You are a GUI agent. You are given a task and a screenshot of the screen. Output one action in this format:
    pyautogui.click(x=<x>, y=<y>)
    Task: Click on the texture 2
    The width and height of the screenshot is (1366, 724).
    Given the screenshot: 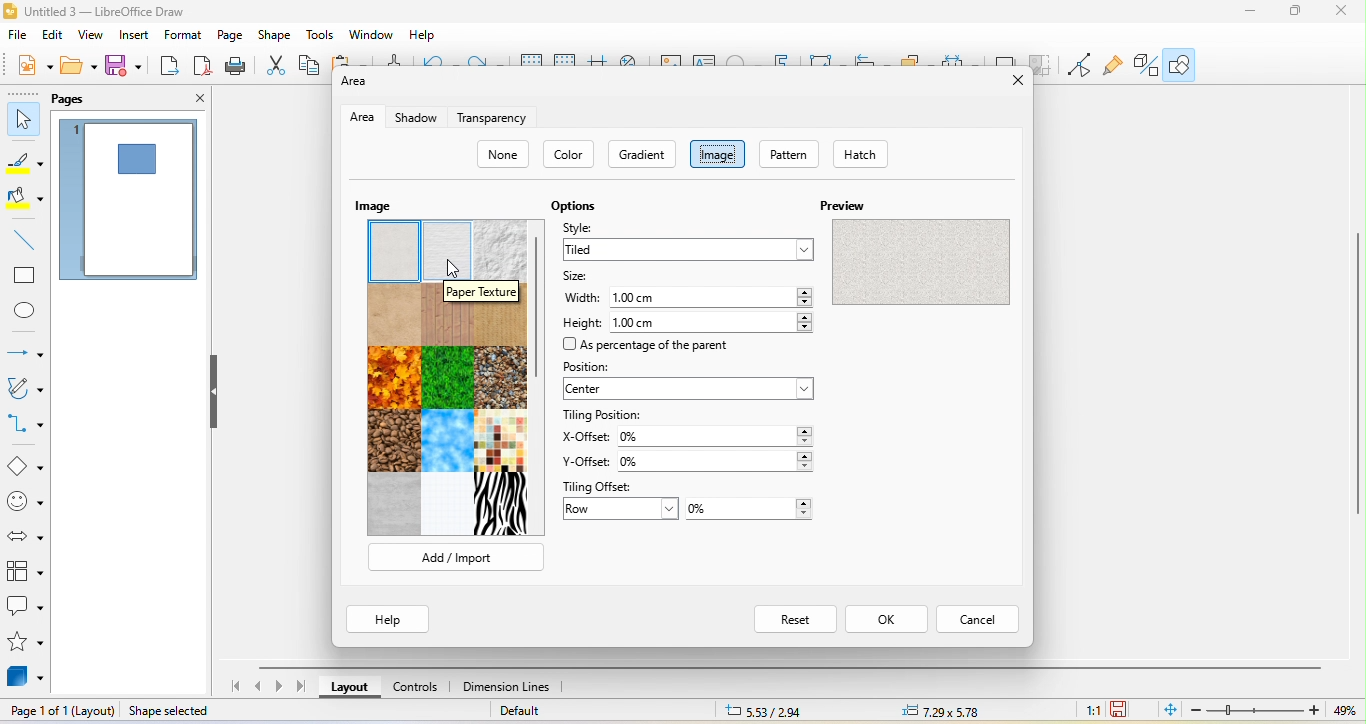 What is the action you would take?
    pyautogui.click(x=447, y=250)
    